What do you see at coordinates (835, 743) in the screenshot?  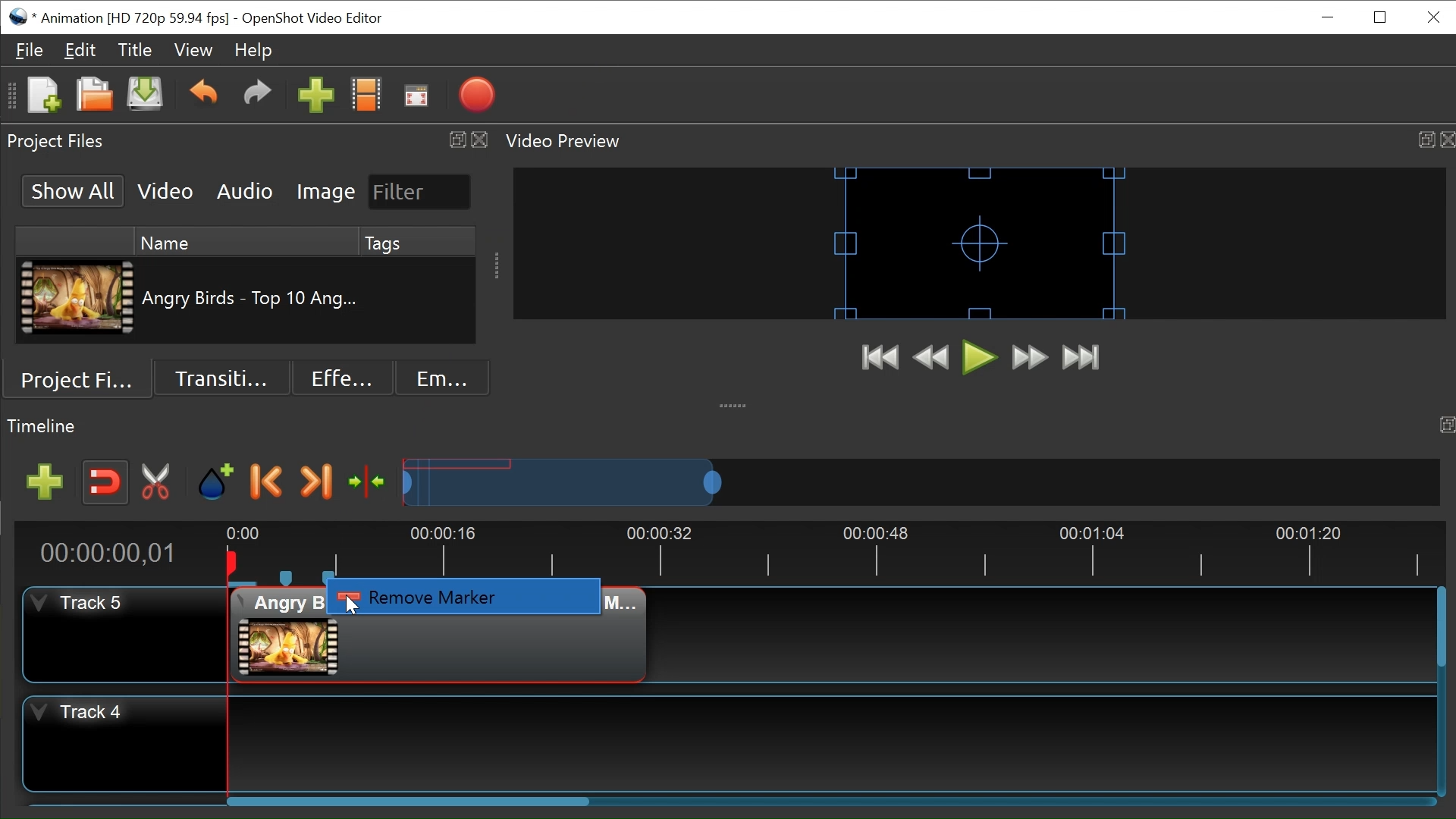 I see `Track Panel` at bounding box center [835, 743].